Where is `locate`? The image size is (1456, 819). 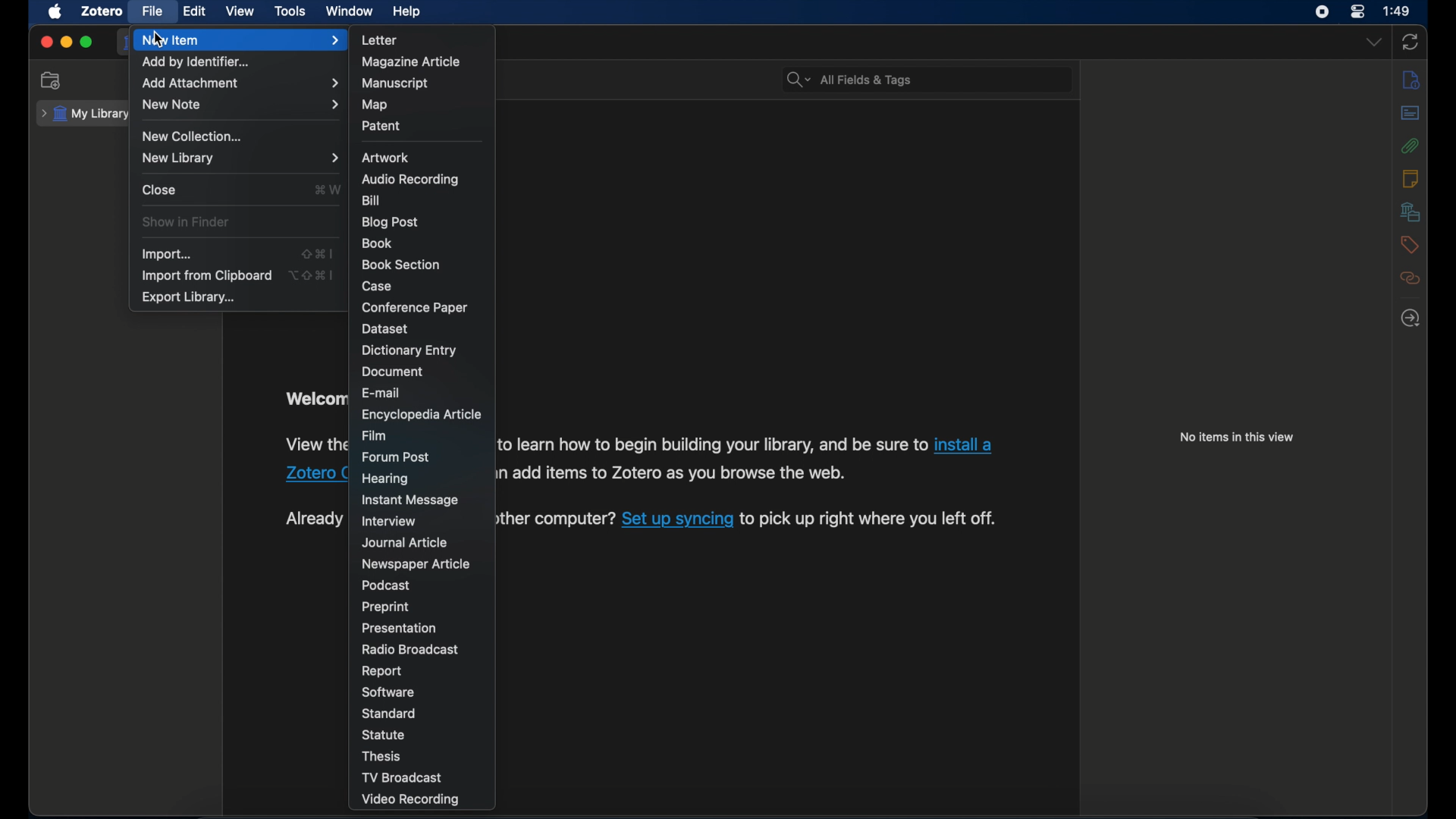
locate is located at coordinates (1410, 319).